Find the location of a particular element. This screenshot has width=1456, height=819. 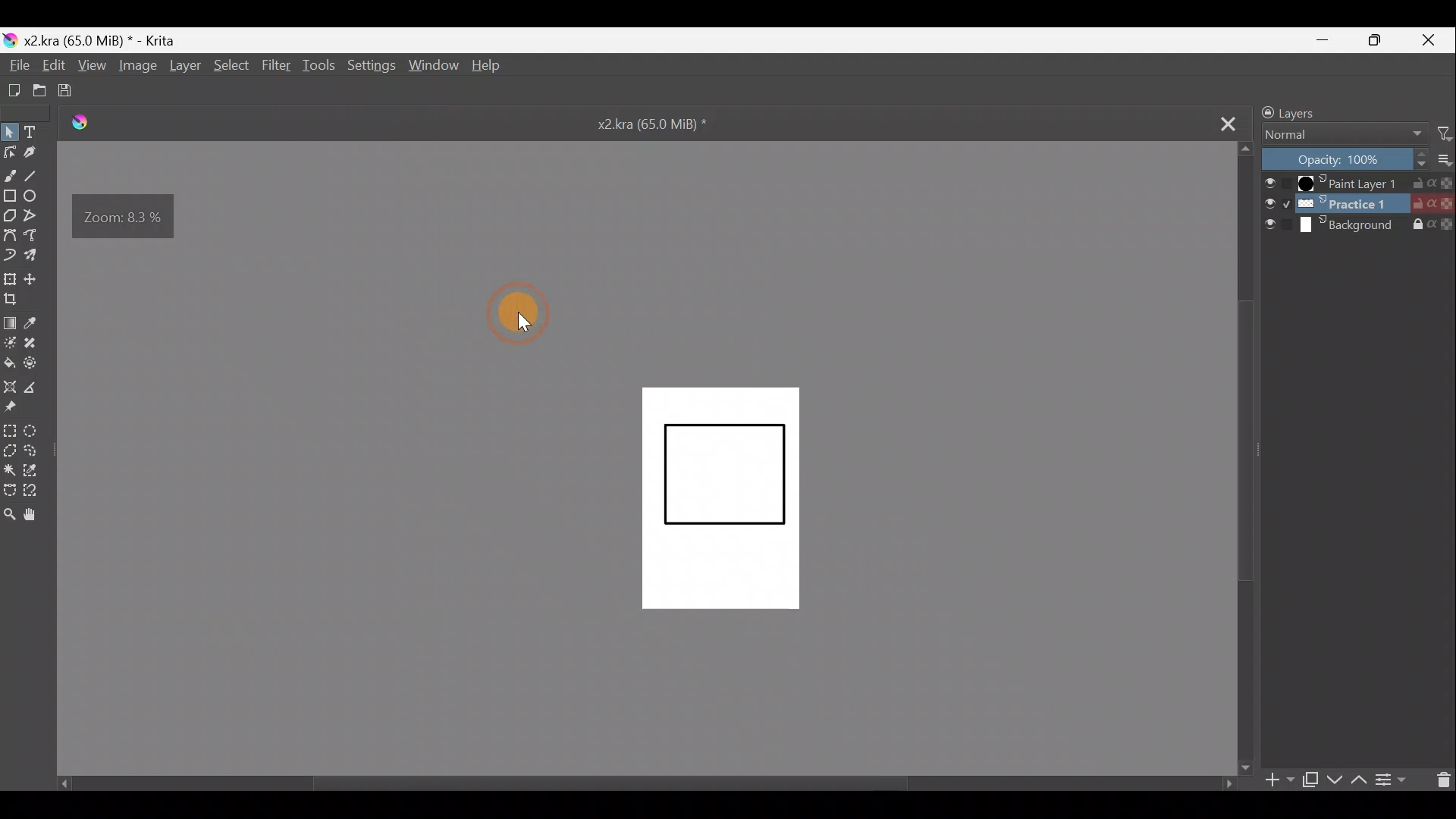

Calligraphy is located at coordinates (37, 151).